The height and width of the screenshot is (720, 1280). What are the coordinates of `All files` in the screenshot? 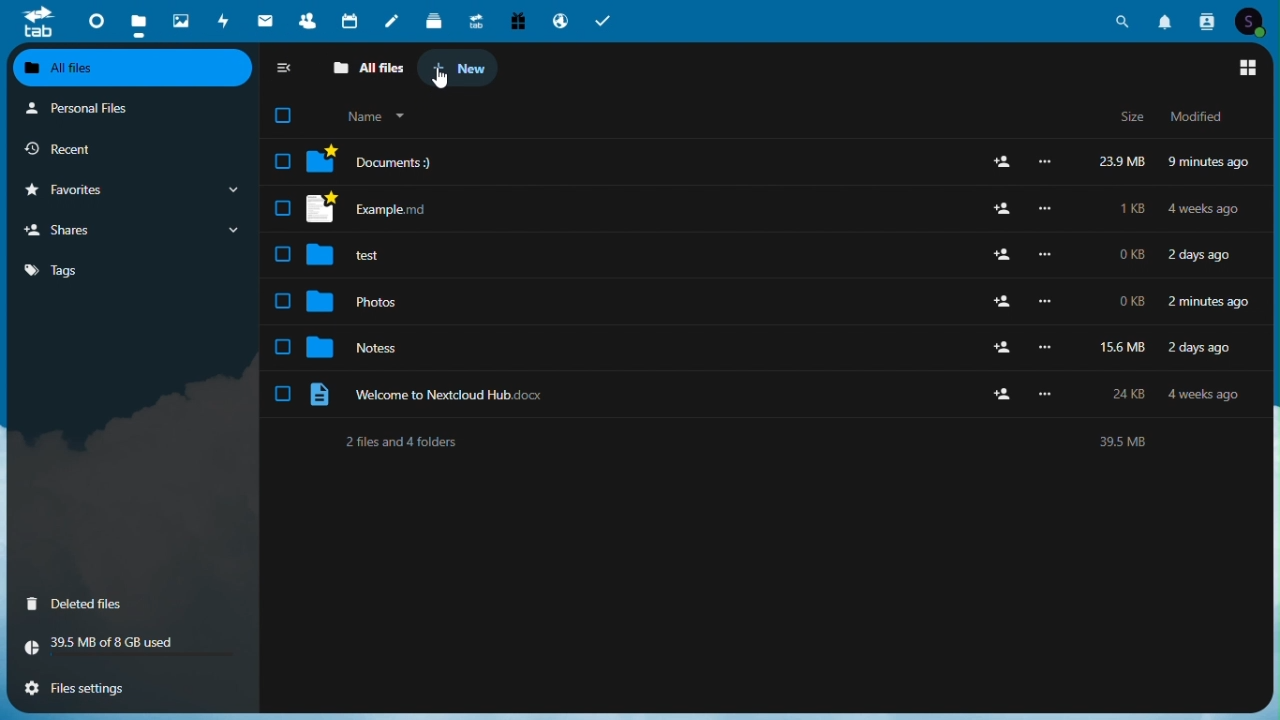 It's located at (370, 68).